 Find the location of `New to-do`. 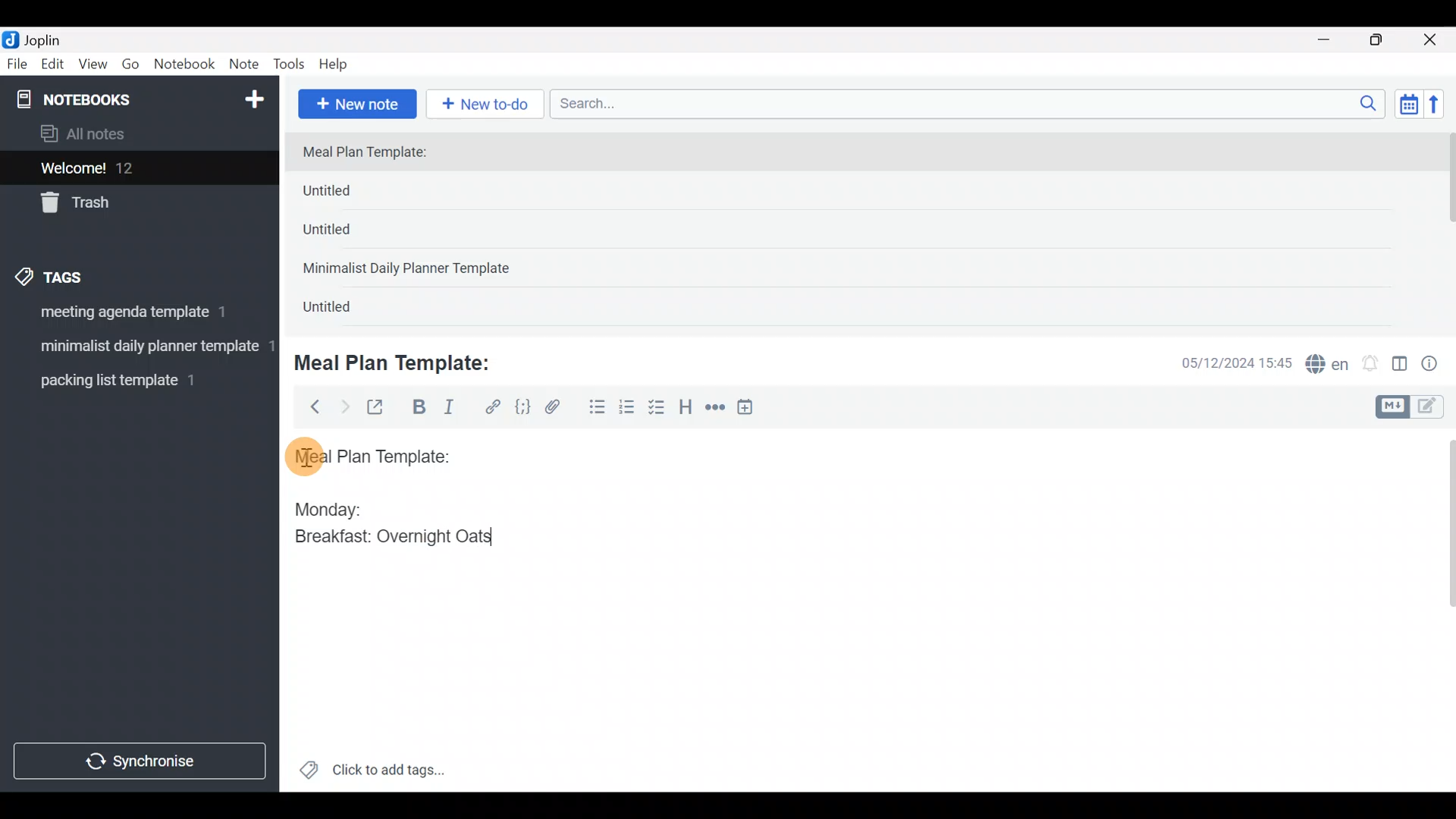

New to-do is located at coordinates (488, 105).